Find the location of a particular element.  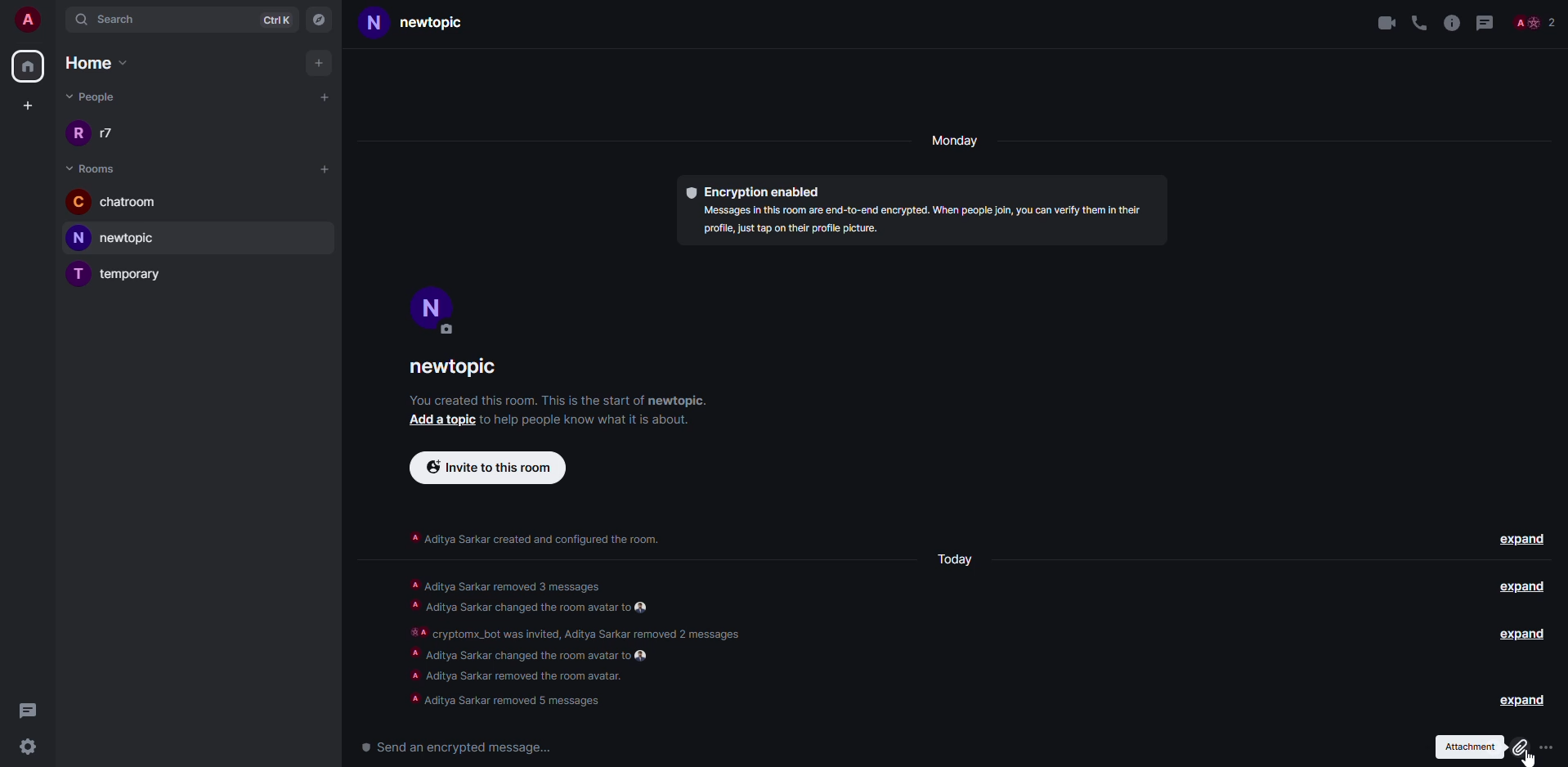

info is located at coordinates (585, 637).